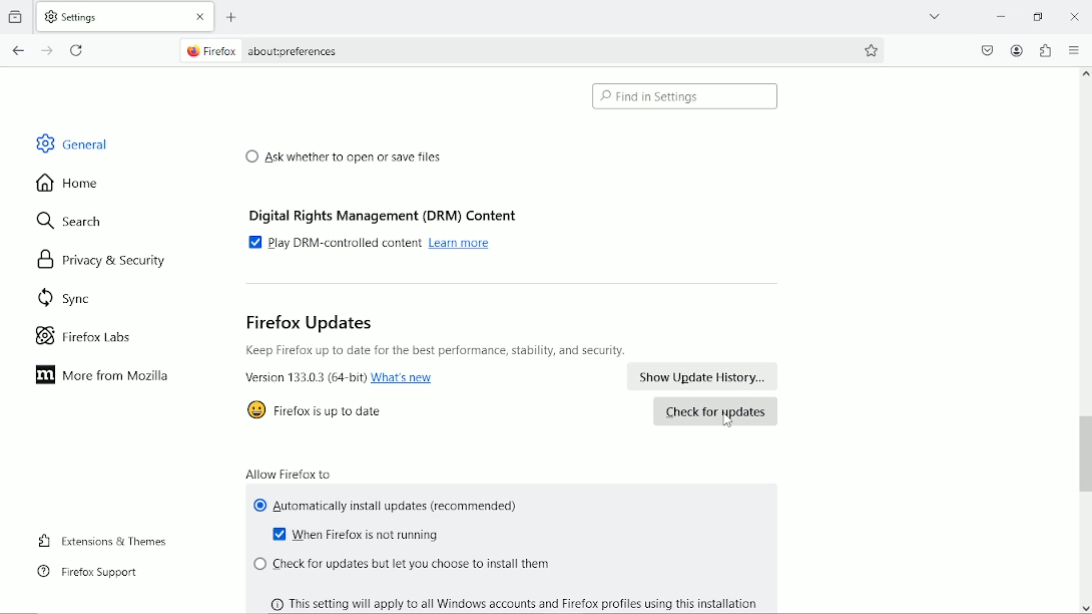 The height and width of the screenshot is (614, 1092). Describe the element at coordinates (20, 49) in the screenshot. I see `go back` at that location.